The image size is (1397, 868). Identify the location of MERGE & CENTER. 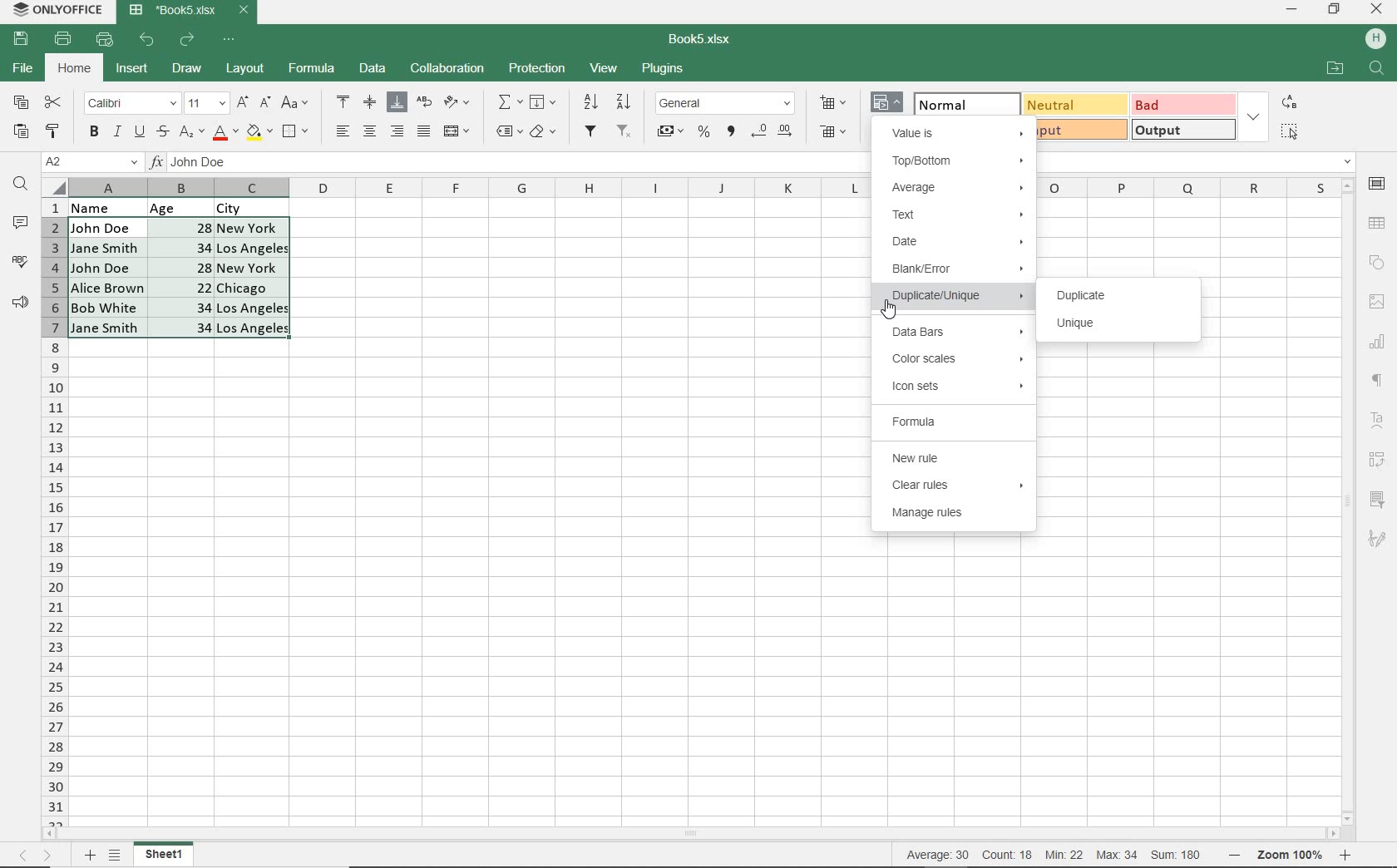
(457, 131).